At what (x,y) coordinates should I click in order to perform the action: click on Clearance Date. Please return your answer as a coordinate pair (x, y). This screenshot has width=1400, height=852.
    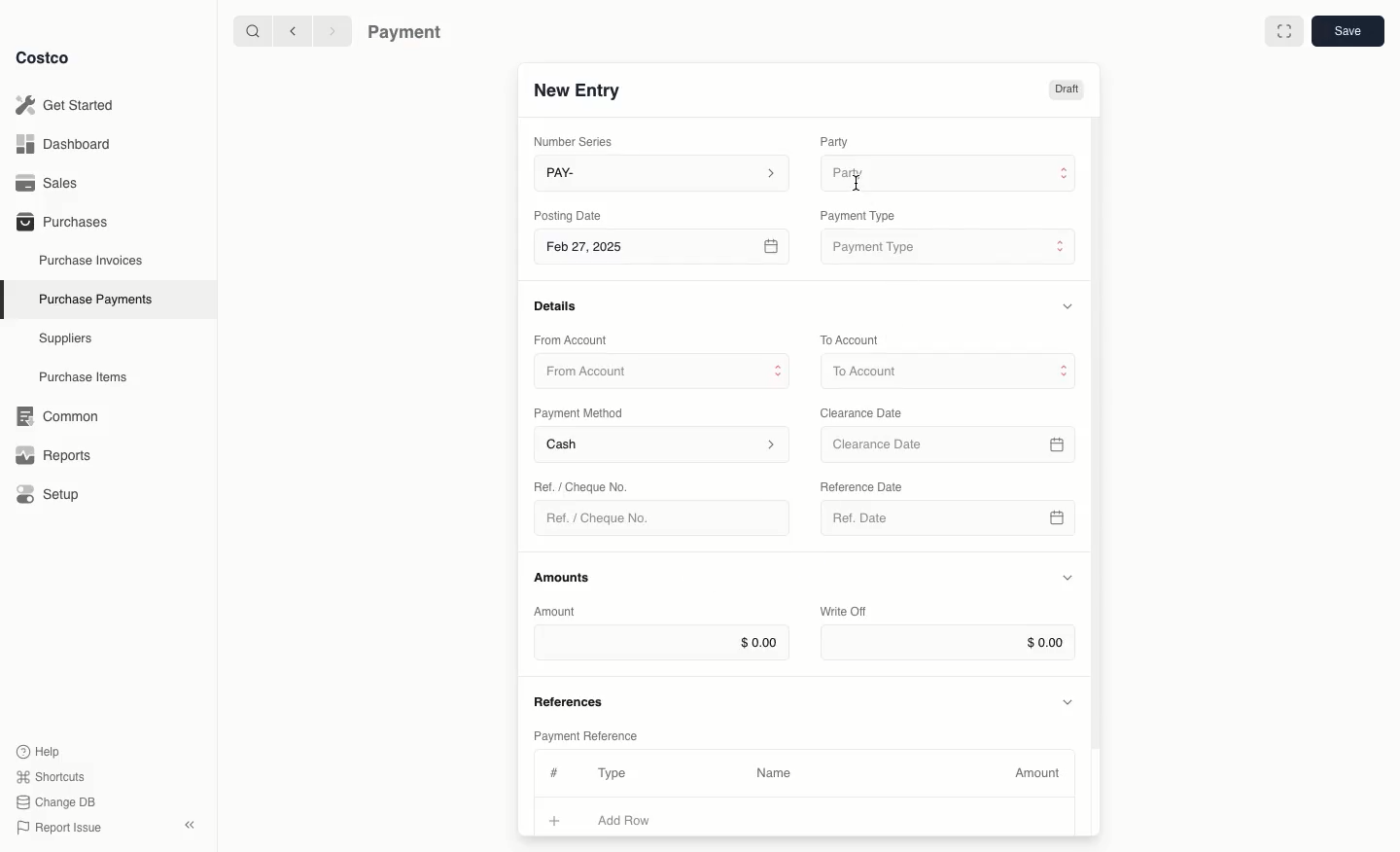
    Looking at the image, I should click on (951, 445).